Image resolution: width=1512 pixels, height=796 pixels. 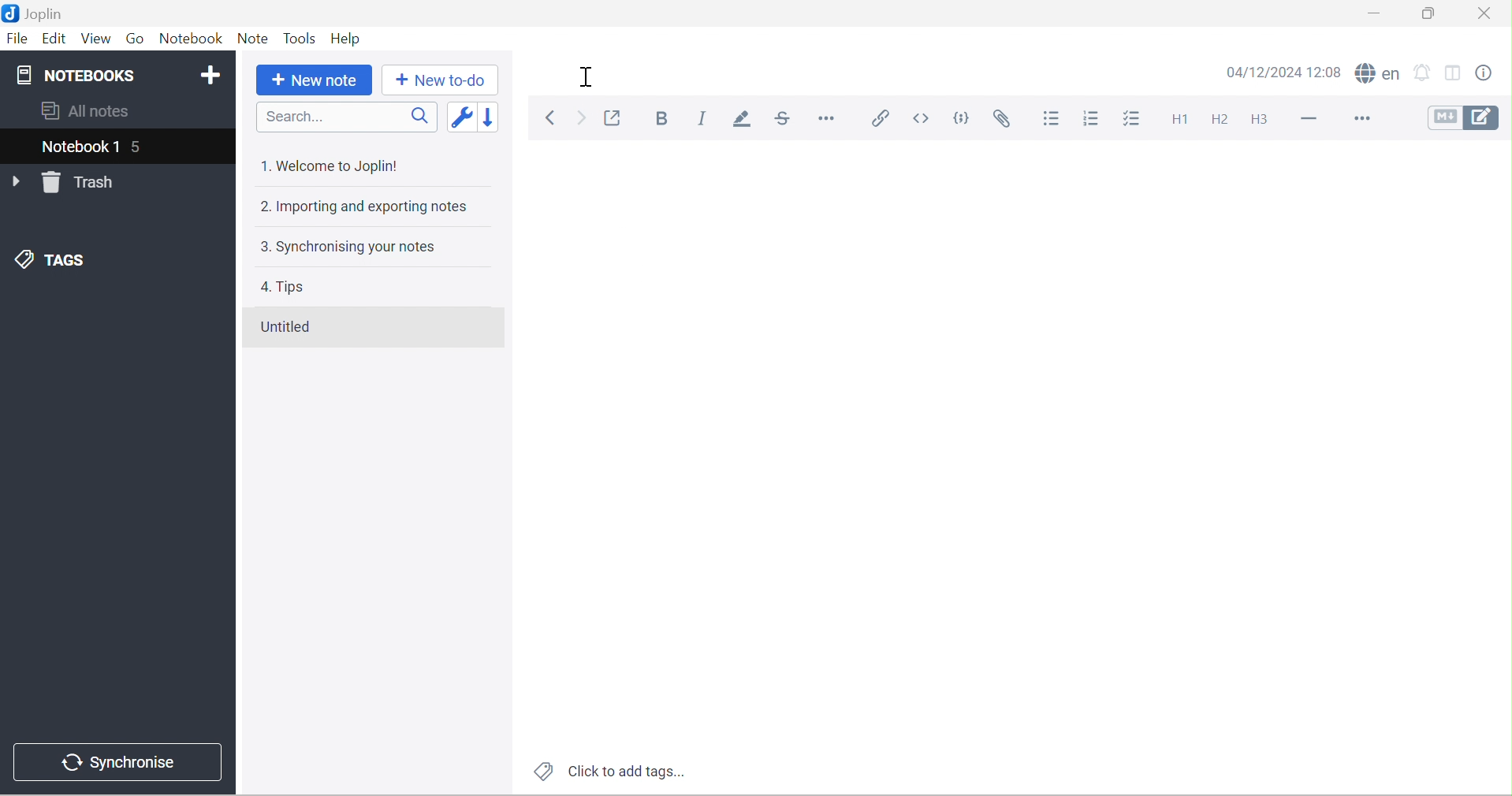 I want to click on Cursor, so click(x=589, y=76).